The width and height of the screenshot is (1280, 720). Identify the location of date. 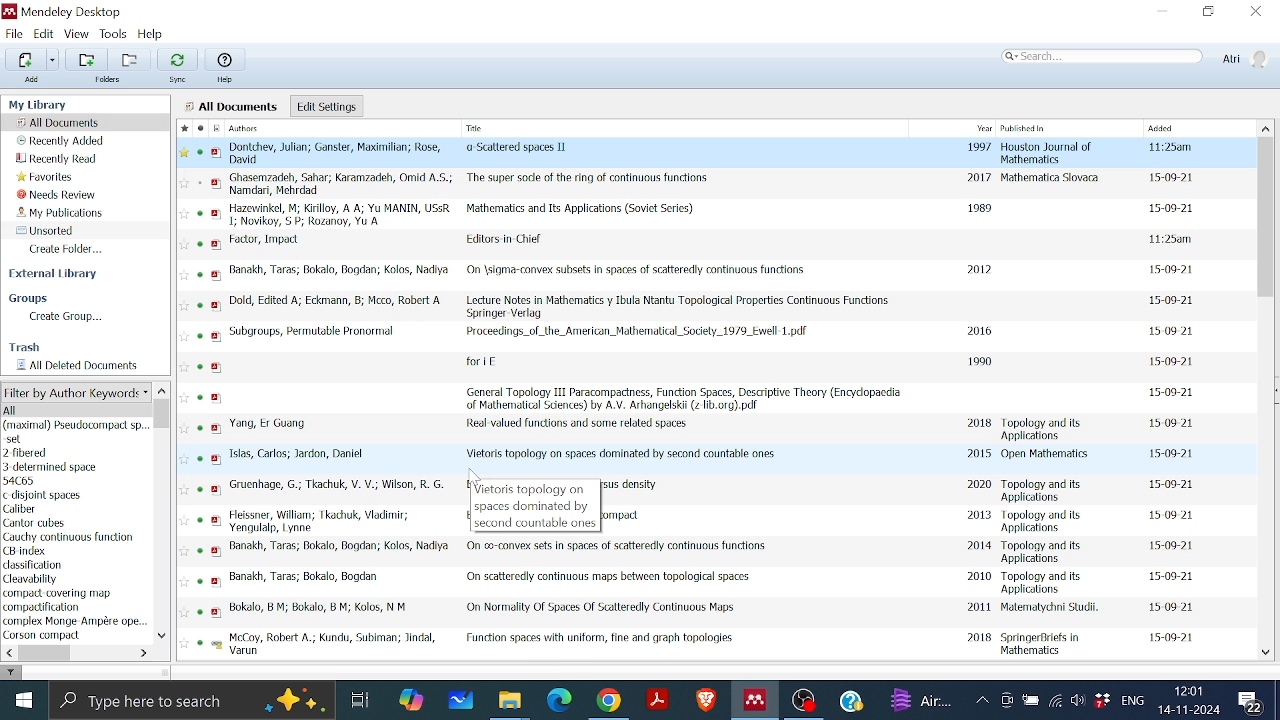
(1168, 209).